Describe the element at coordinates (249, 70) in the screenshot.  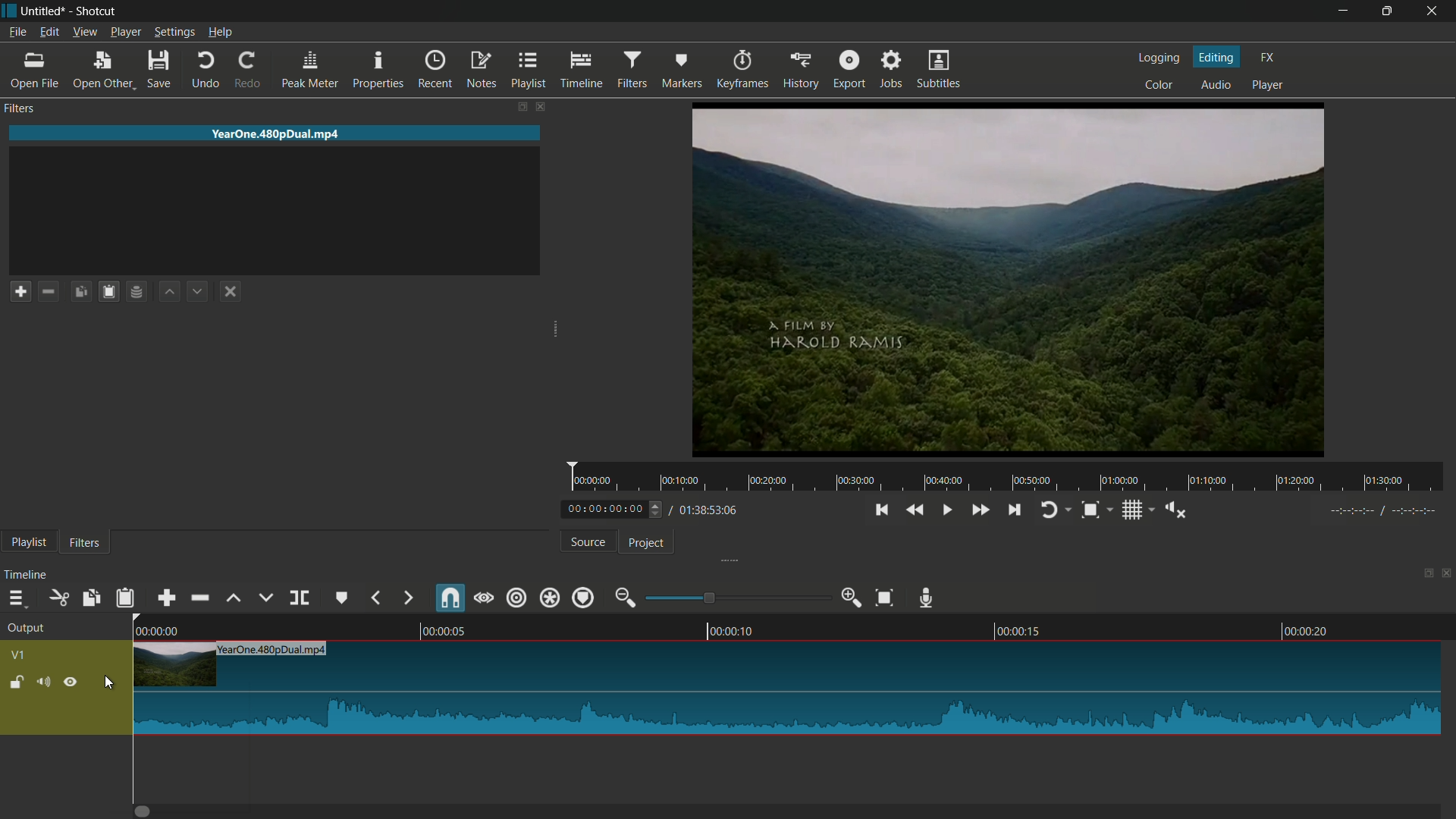
I see `redo` at that location.